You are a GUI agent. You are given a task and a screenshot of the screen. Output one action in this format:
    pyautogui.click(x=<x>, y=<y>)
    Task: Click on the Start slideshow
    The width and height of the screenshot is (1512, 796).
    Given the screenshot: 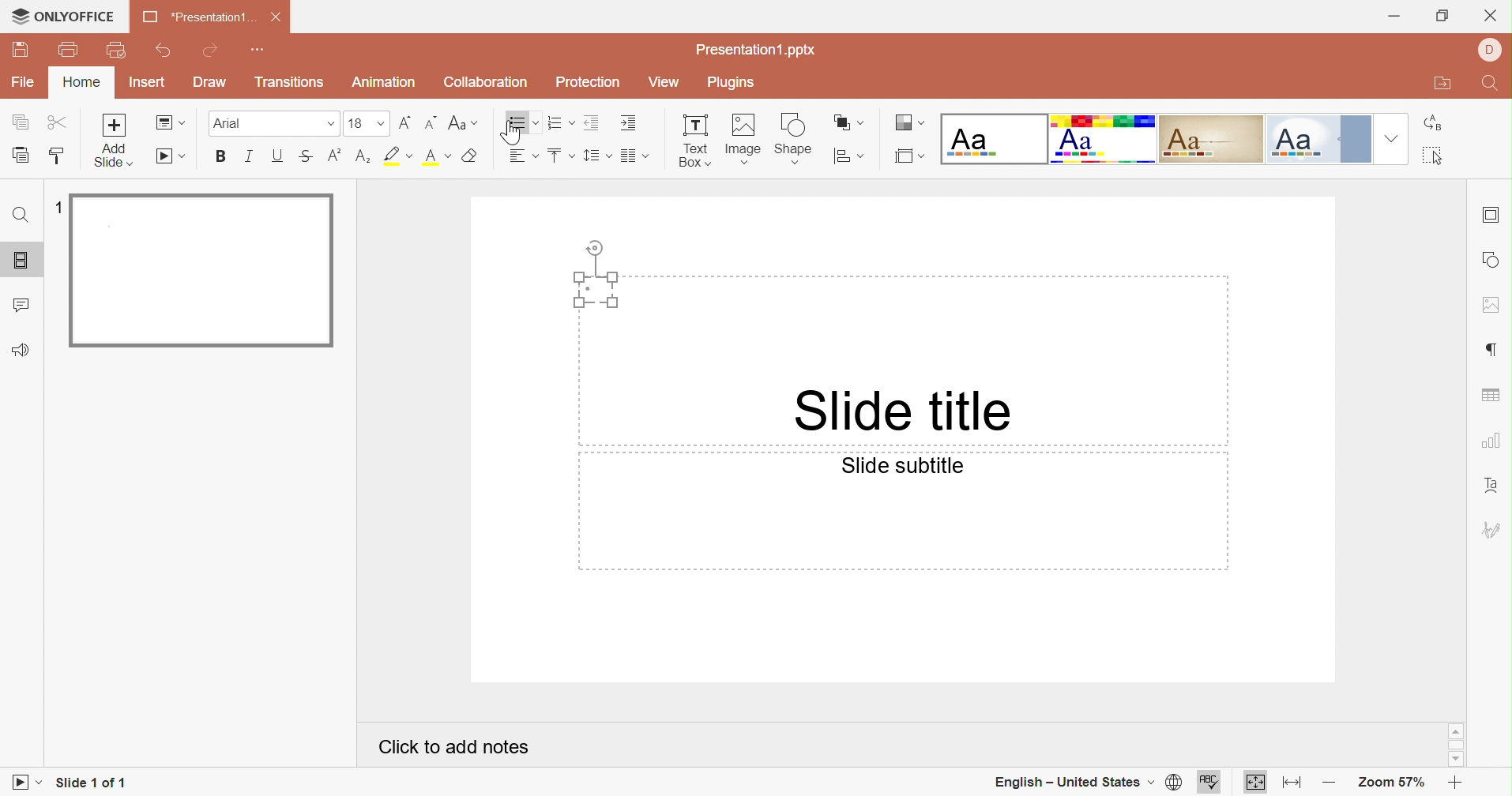 What is the action you would take?
    pyautogui.click(x=23, y=785)
    